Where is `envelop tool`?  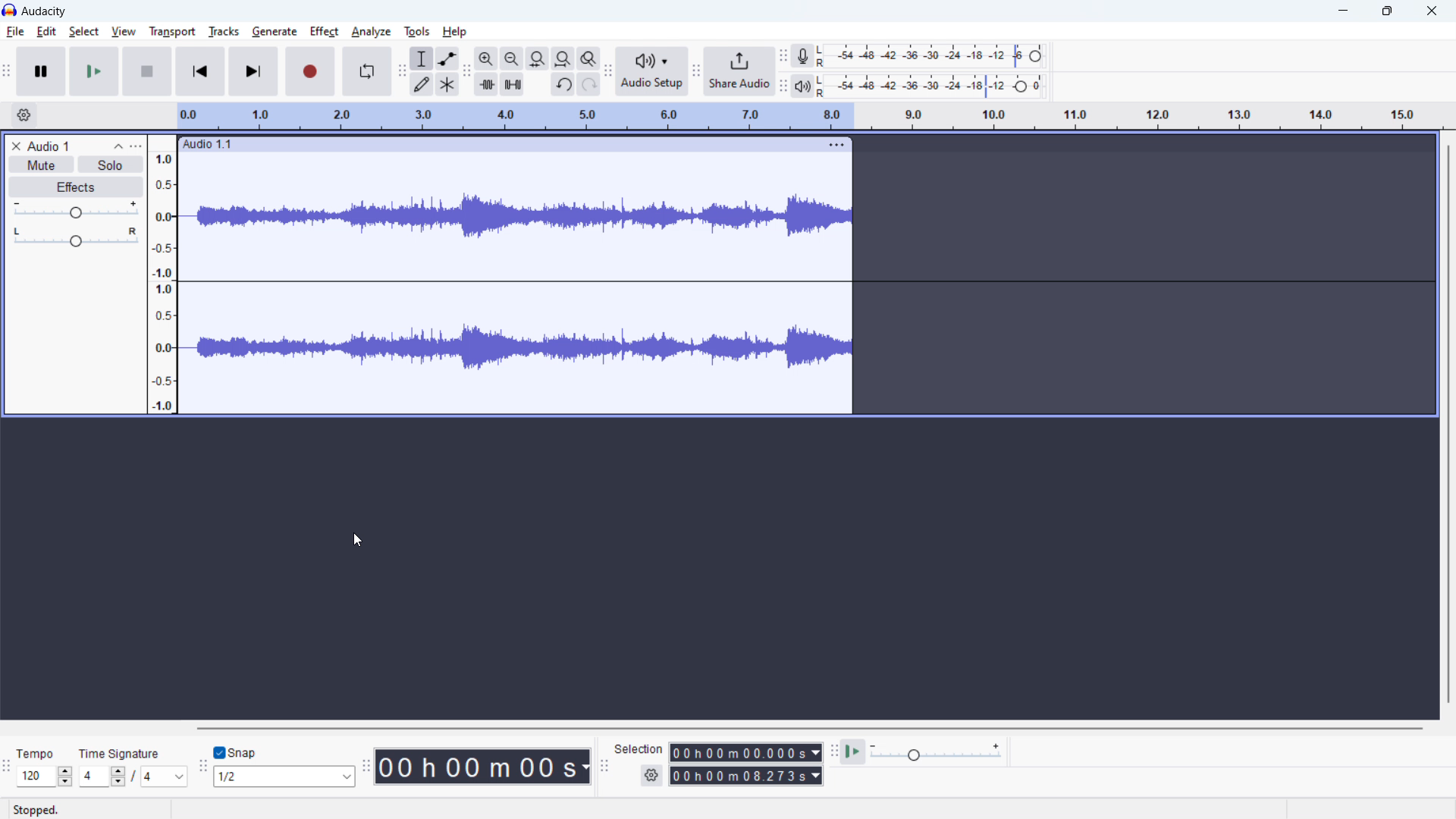 envelop tool is located at coordinates (447, 58).